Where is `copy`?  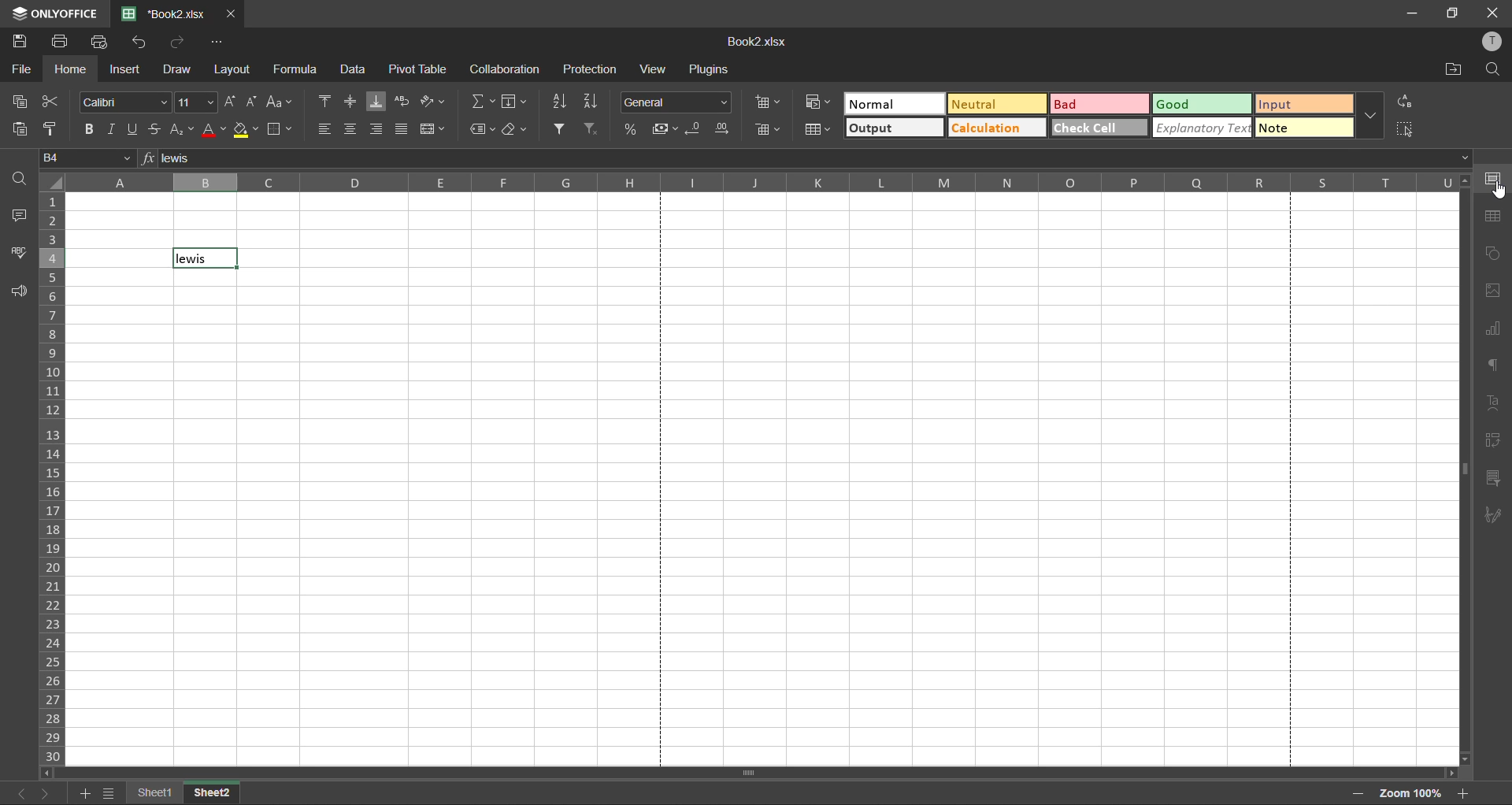
copy is located at coordinates (23, 102).